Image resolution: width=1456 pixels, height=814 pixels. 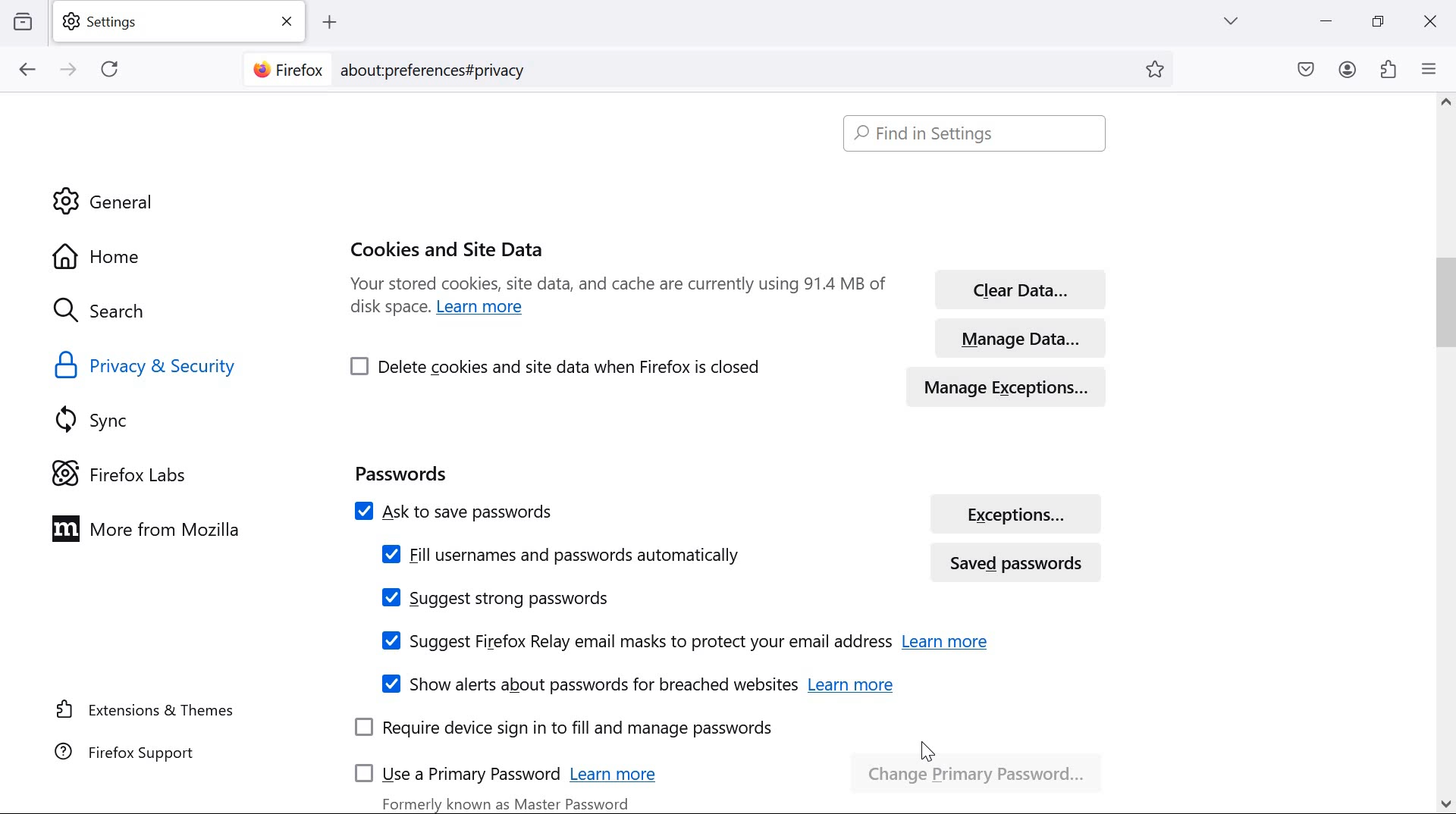 I want to click on more from Mozilla, so click(x=154, y=528).